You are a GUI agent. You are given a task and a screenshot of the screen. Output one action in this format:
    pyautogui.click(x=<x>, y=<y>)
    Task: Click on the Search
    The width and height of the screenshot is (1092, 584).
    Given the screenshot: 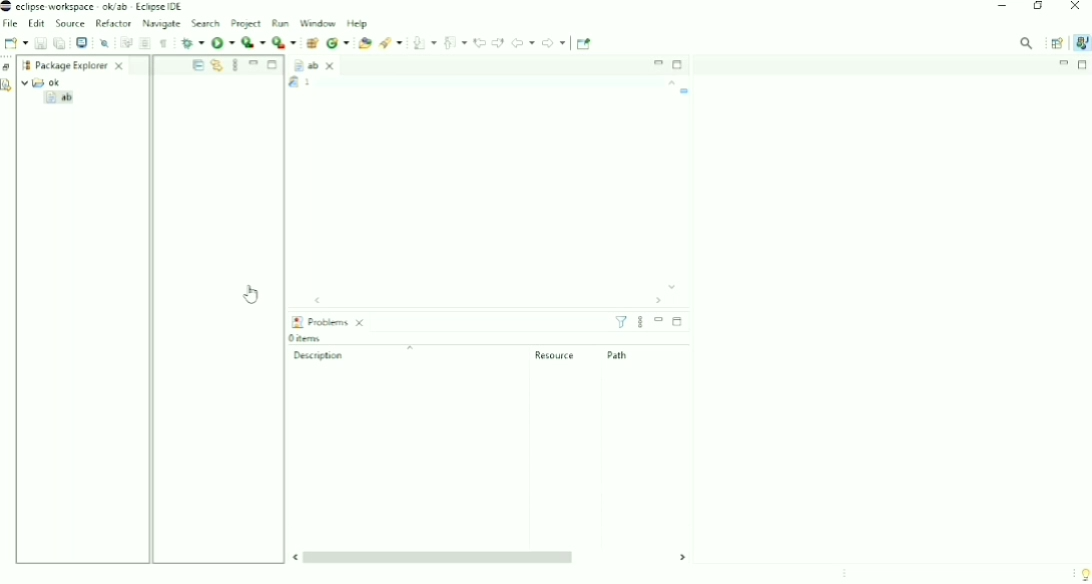 What is the action you would take?
    pyautogui.click(x=206, y=22)
    